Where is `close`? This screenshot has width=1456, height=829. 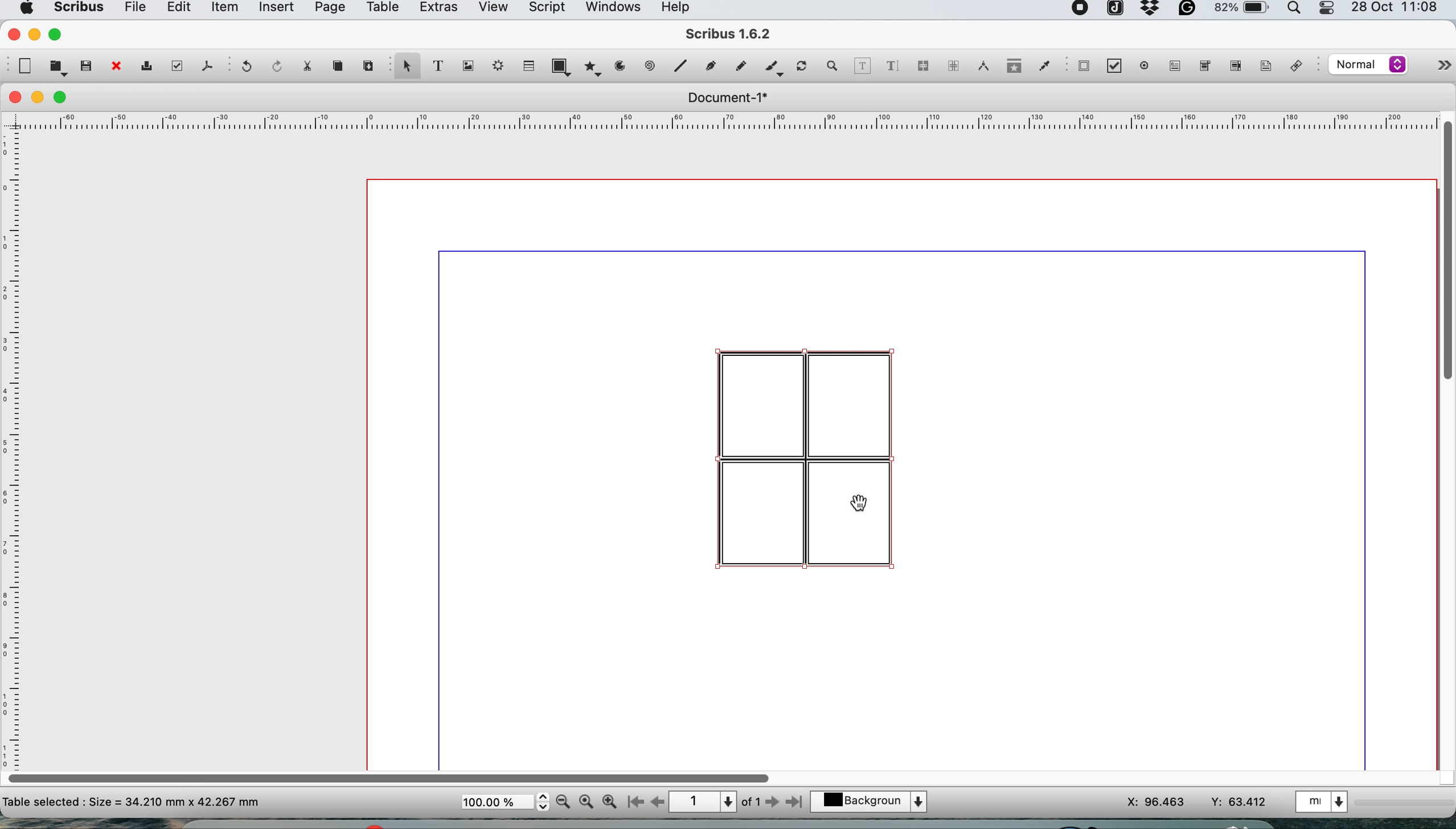
close is located at coordinates (13, 97).